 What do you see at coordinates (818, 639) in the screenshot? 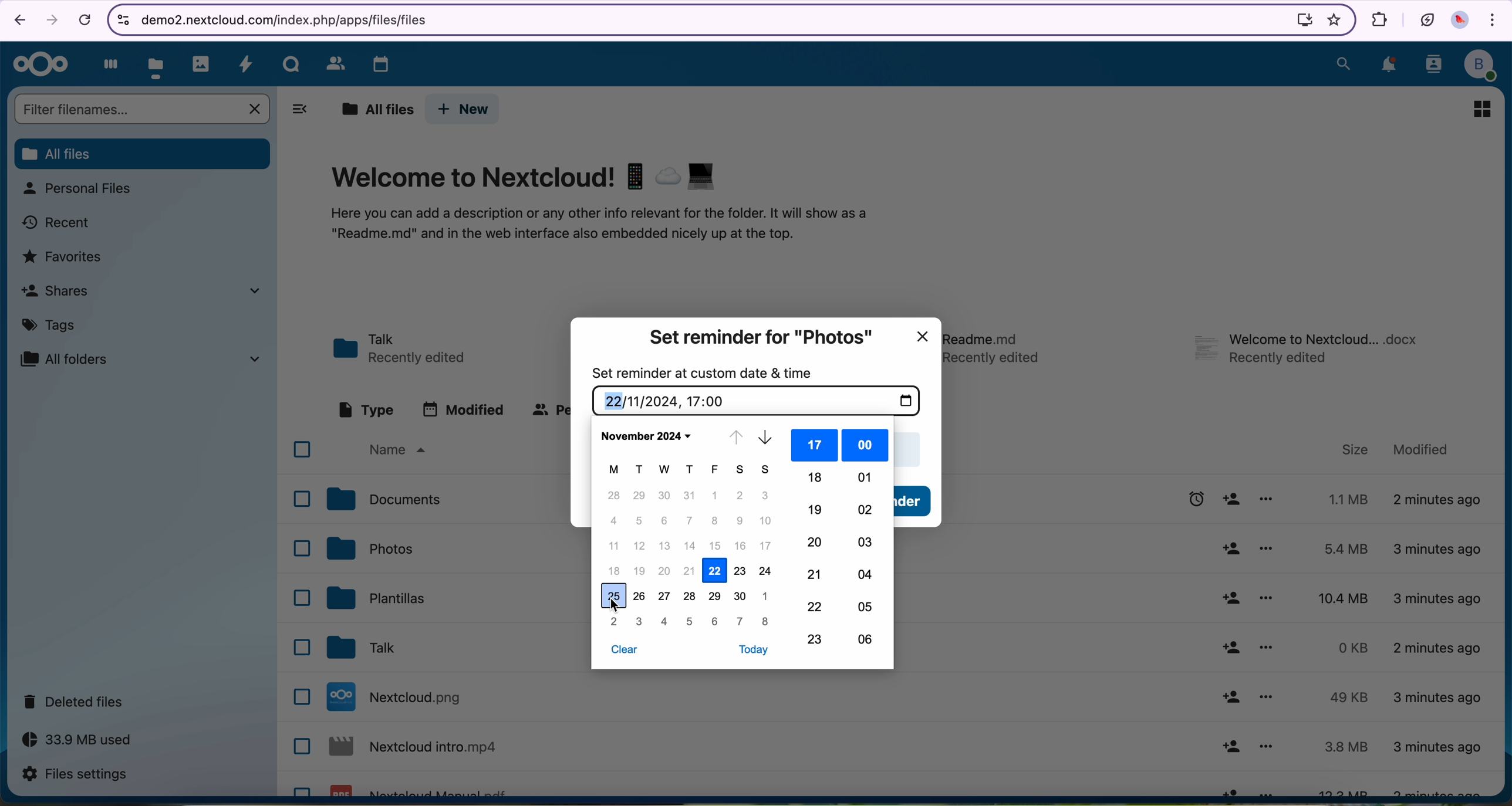
I see `23` at bounding box center [818, 639].